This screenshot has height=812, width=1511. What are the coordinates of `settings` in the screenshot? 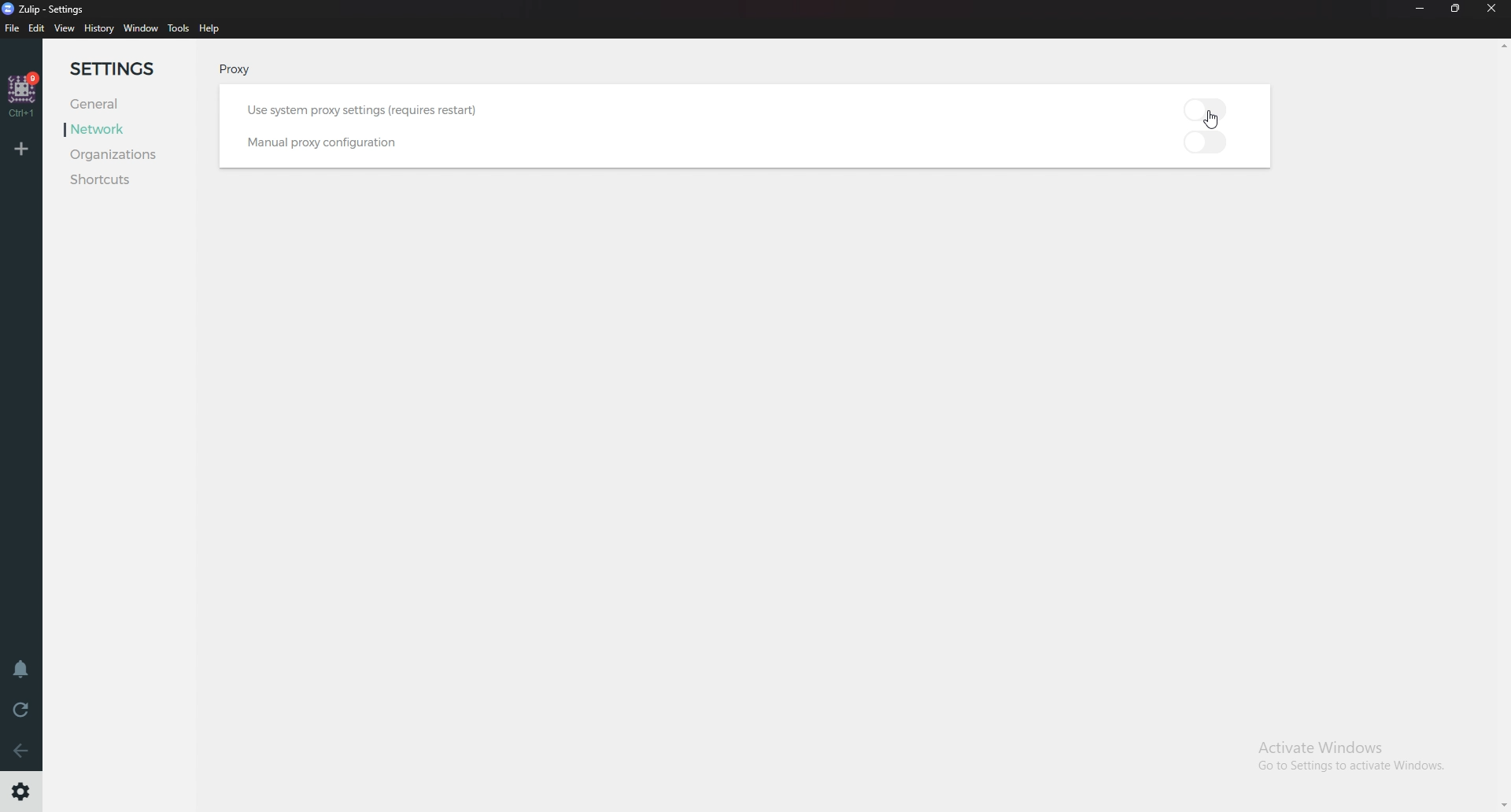 It's located at (122, 69).